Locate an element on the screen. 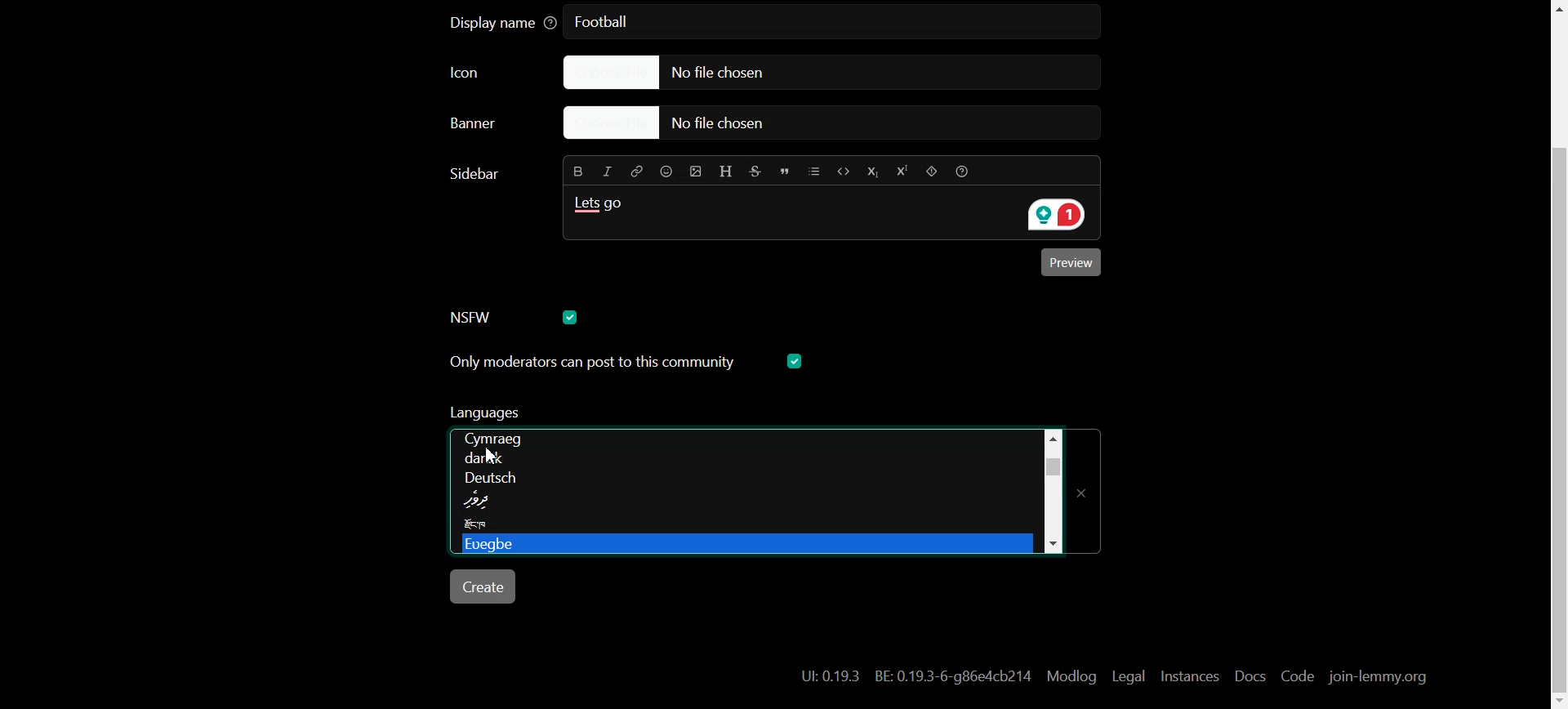  Language is located at coordinates (744, 465).